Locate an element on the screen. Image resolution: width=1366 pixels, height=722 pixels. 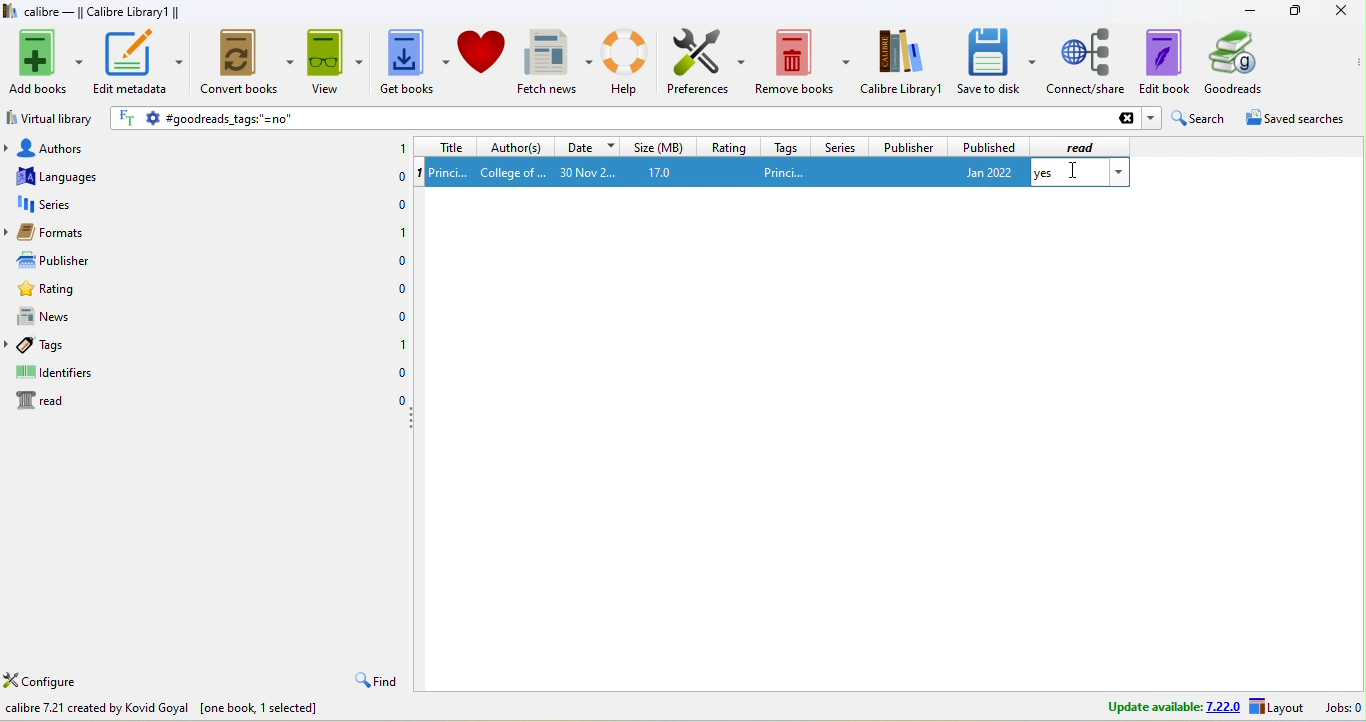
17.0 is located at coordinates (665, 172).